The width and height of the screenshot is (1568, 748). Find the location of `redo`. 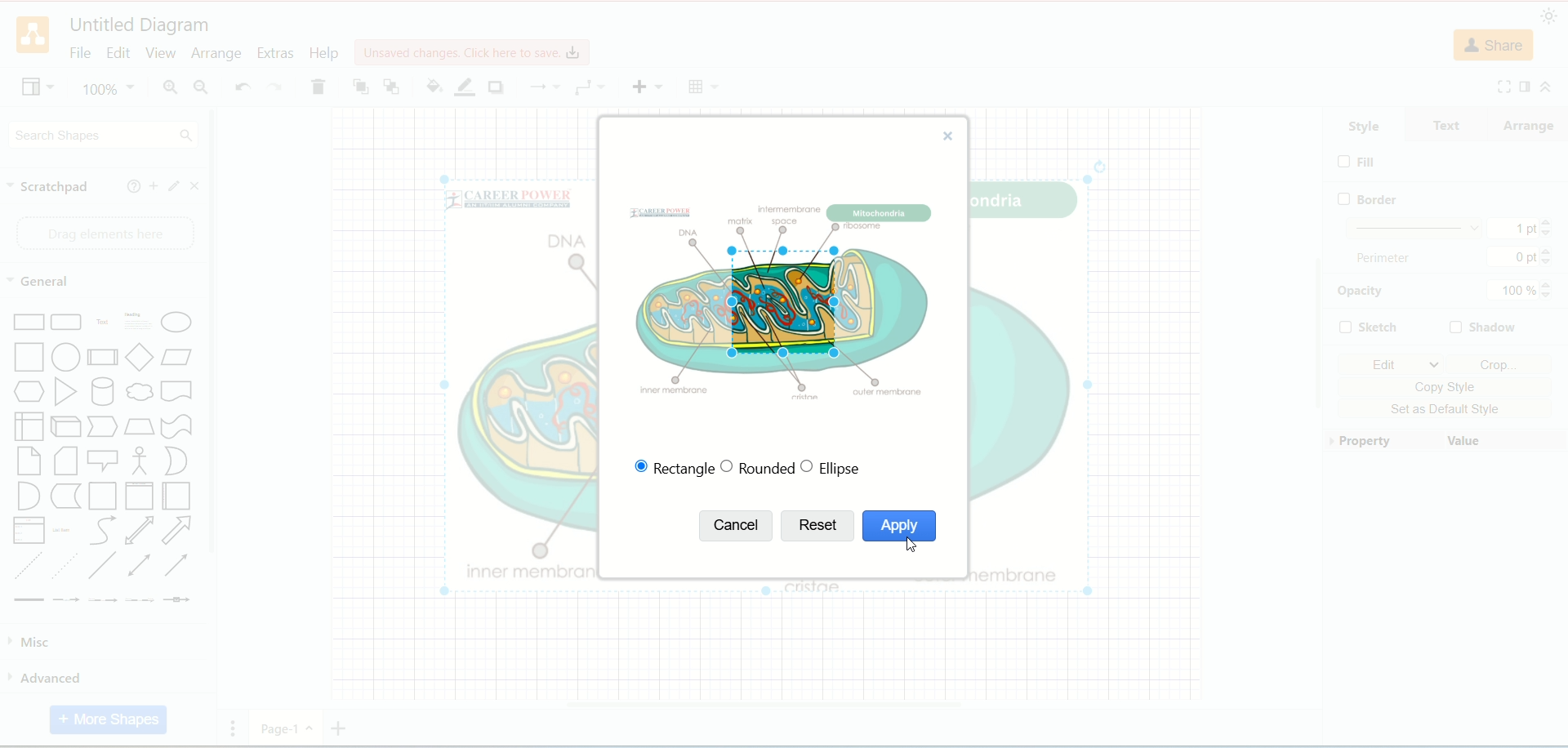

redo is located at coordinates (275, 88).